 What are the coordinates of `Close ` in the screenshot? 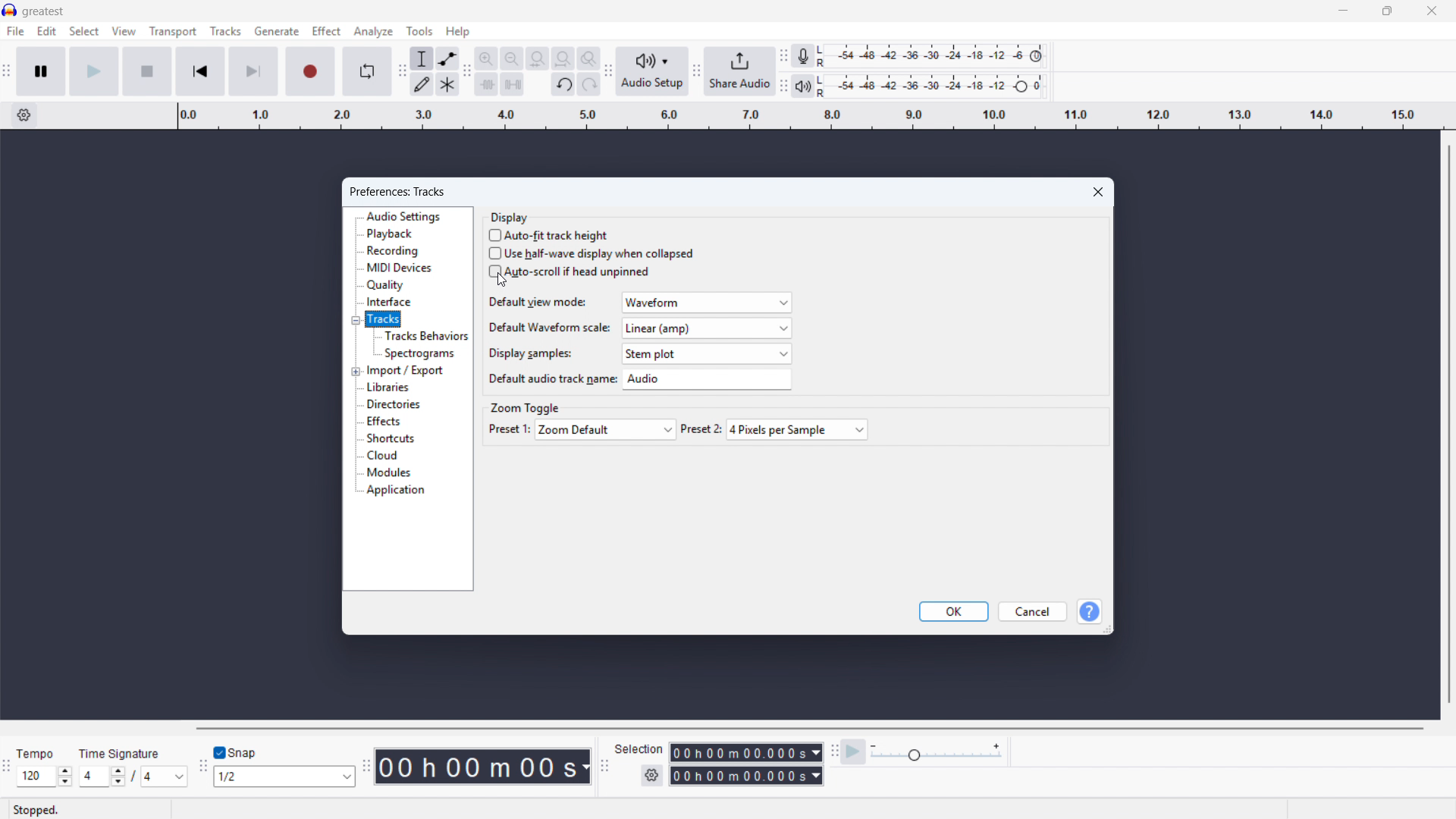 It's located at (1432, 11).